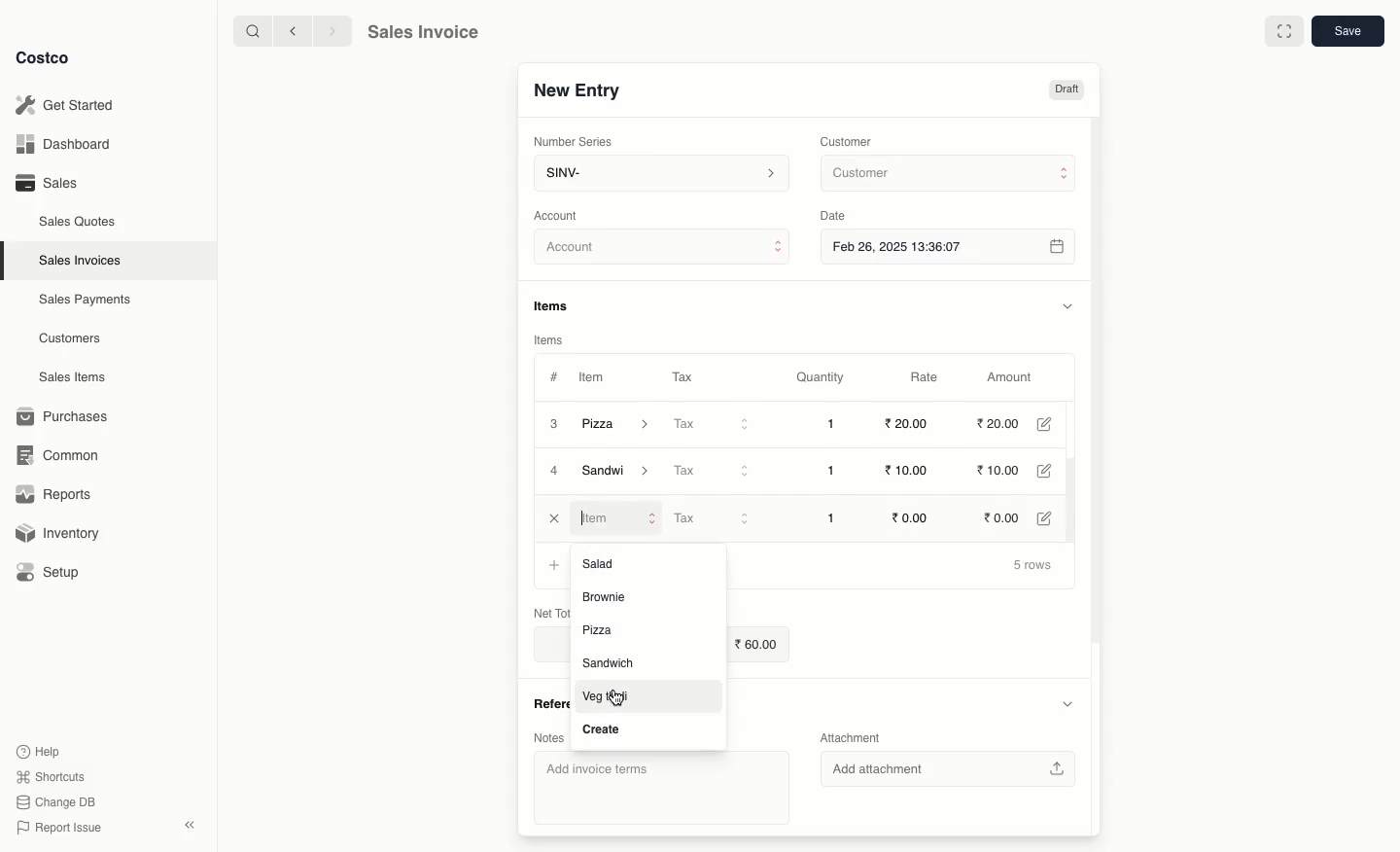  Describe the element at coordinates (616, 694) in the screenshot. I see `cursor` at that location.